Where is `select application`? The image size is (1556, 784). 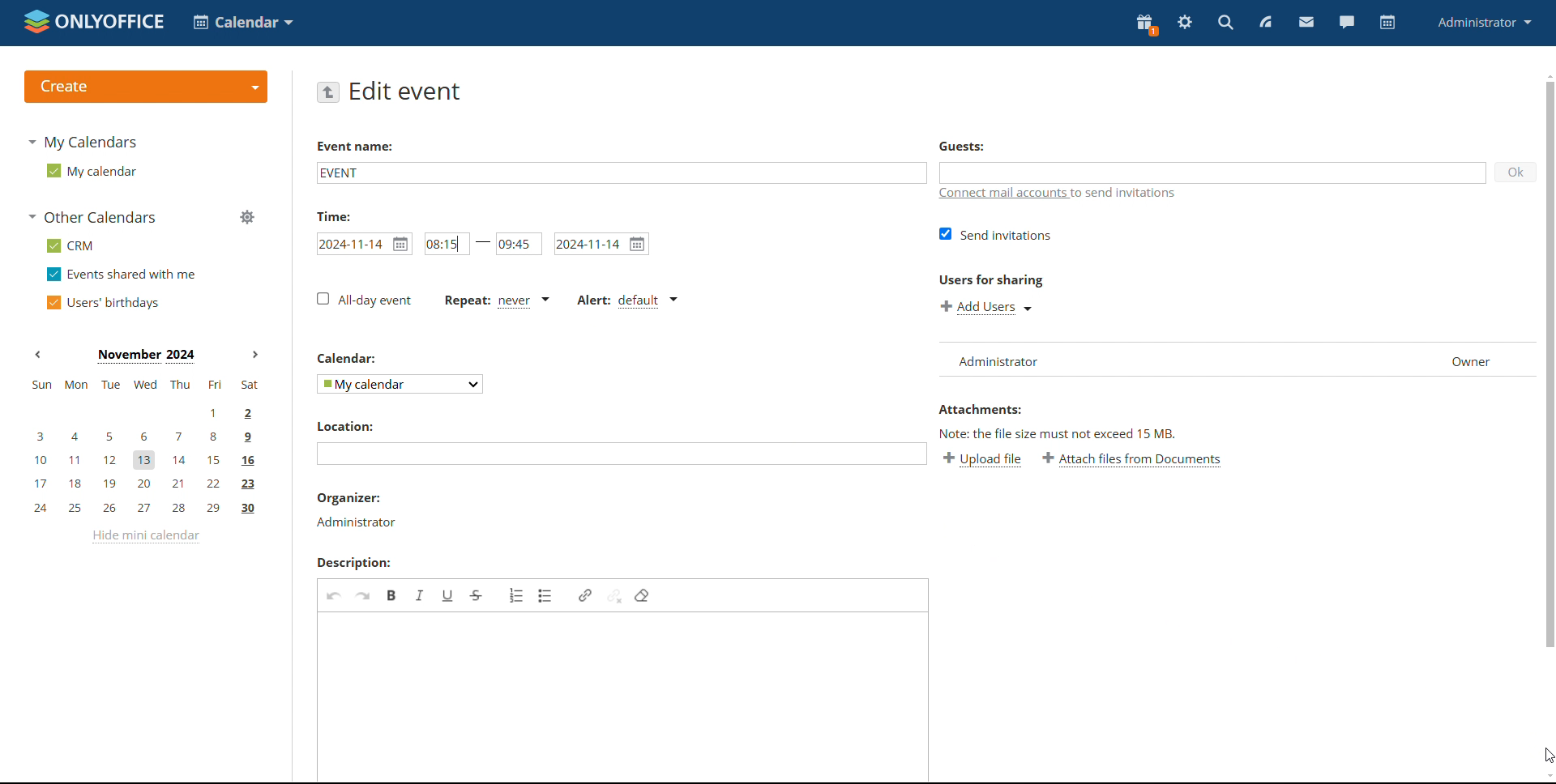
select application is located at coordinates (245, 22).